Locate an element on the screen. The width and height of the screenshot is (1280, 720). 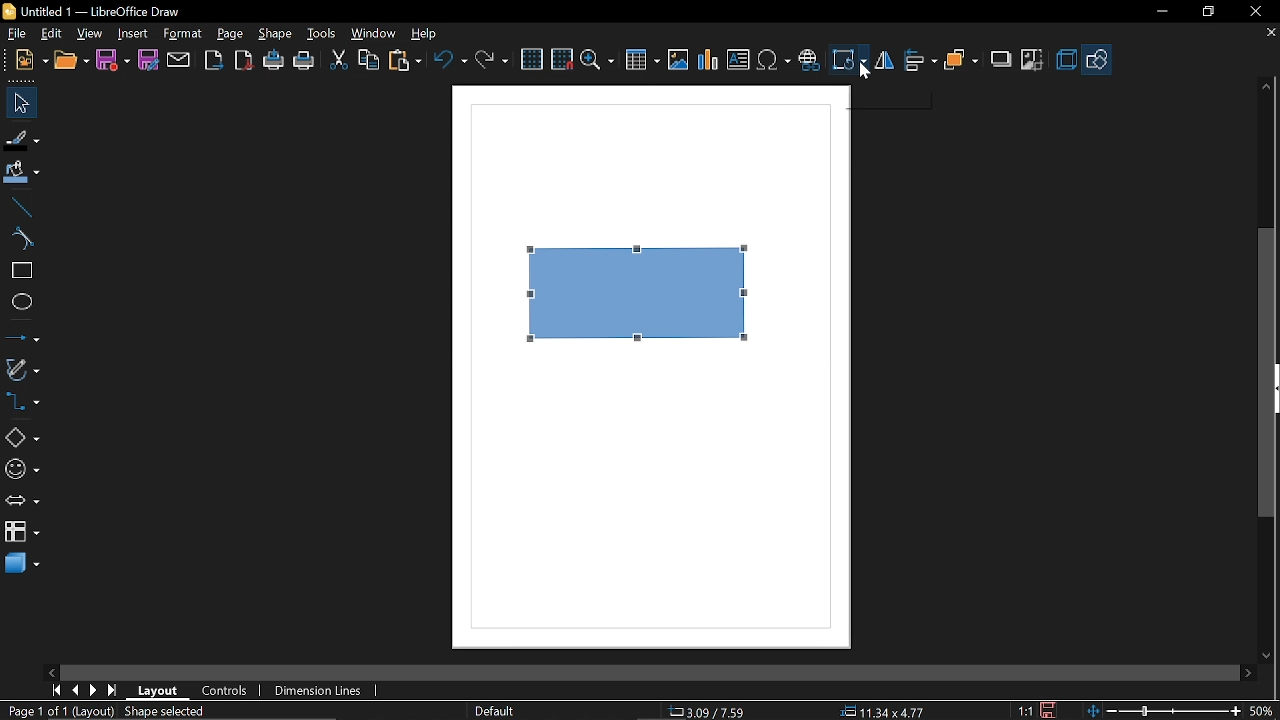
allign is located at coordinates (919, 60).